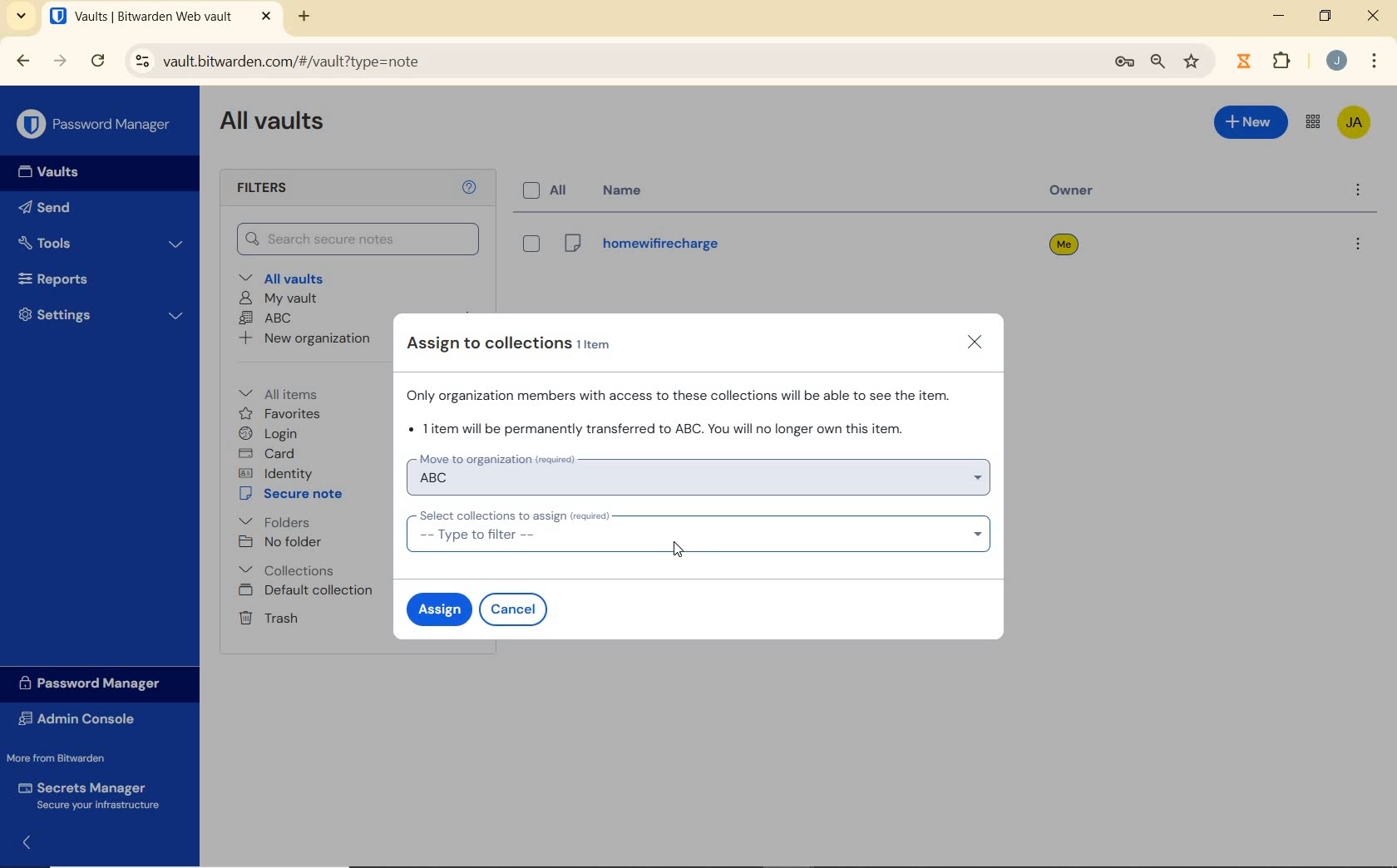  I want to click on eye box, so click(530, 244).